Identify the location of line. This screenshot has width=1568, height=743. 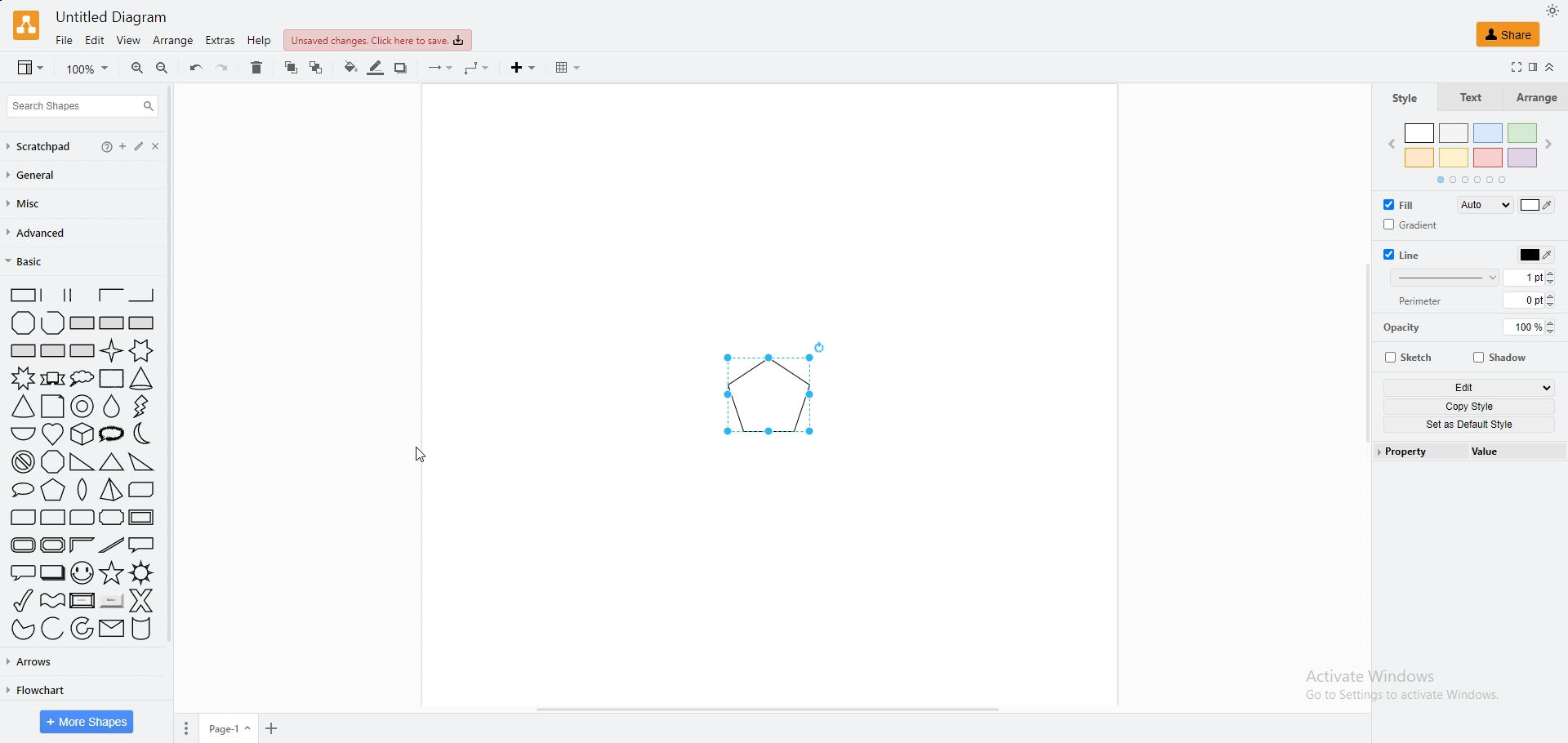
(1407, 256).